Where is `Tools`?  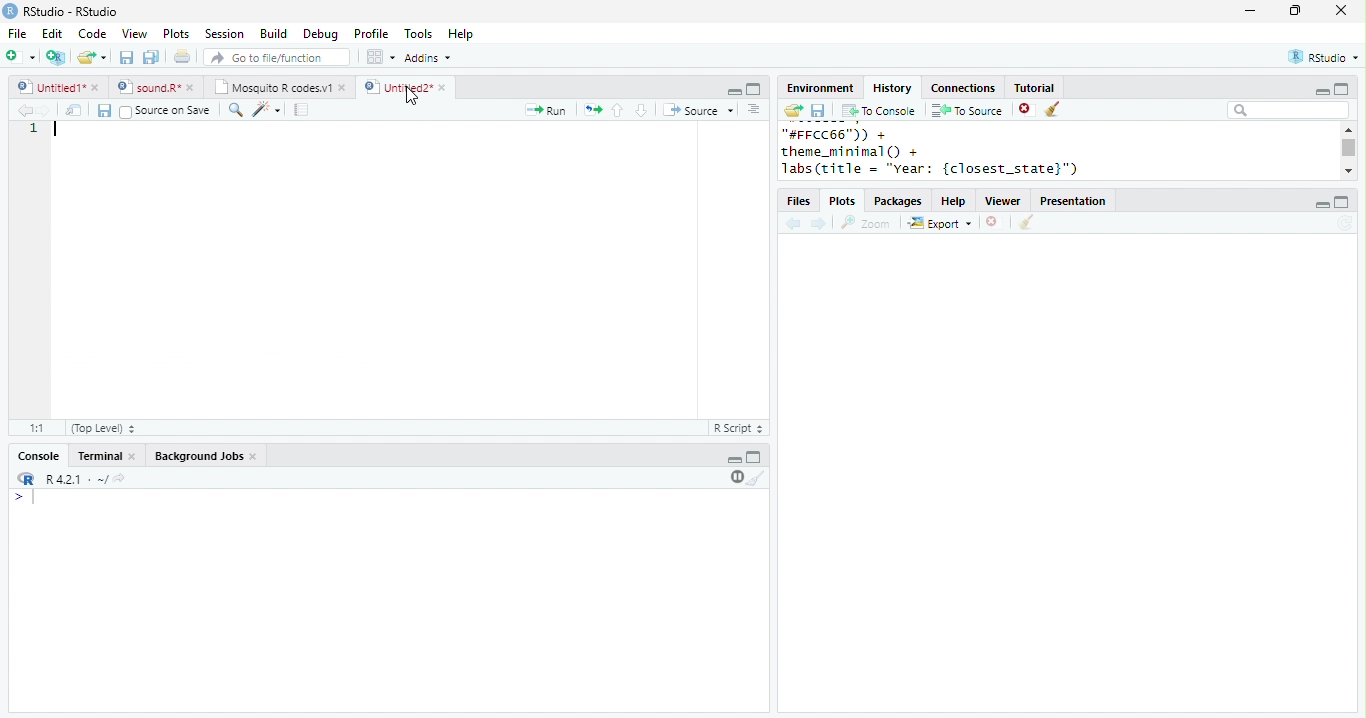
Tools is located at coordinates (419, 34).